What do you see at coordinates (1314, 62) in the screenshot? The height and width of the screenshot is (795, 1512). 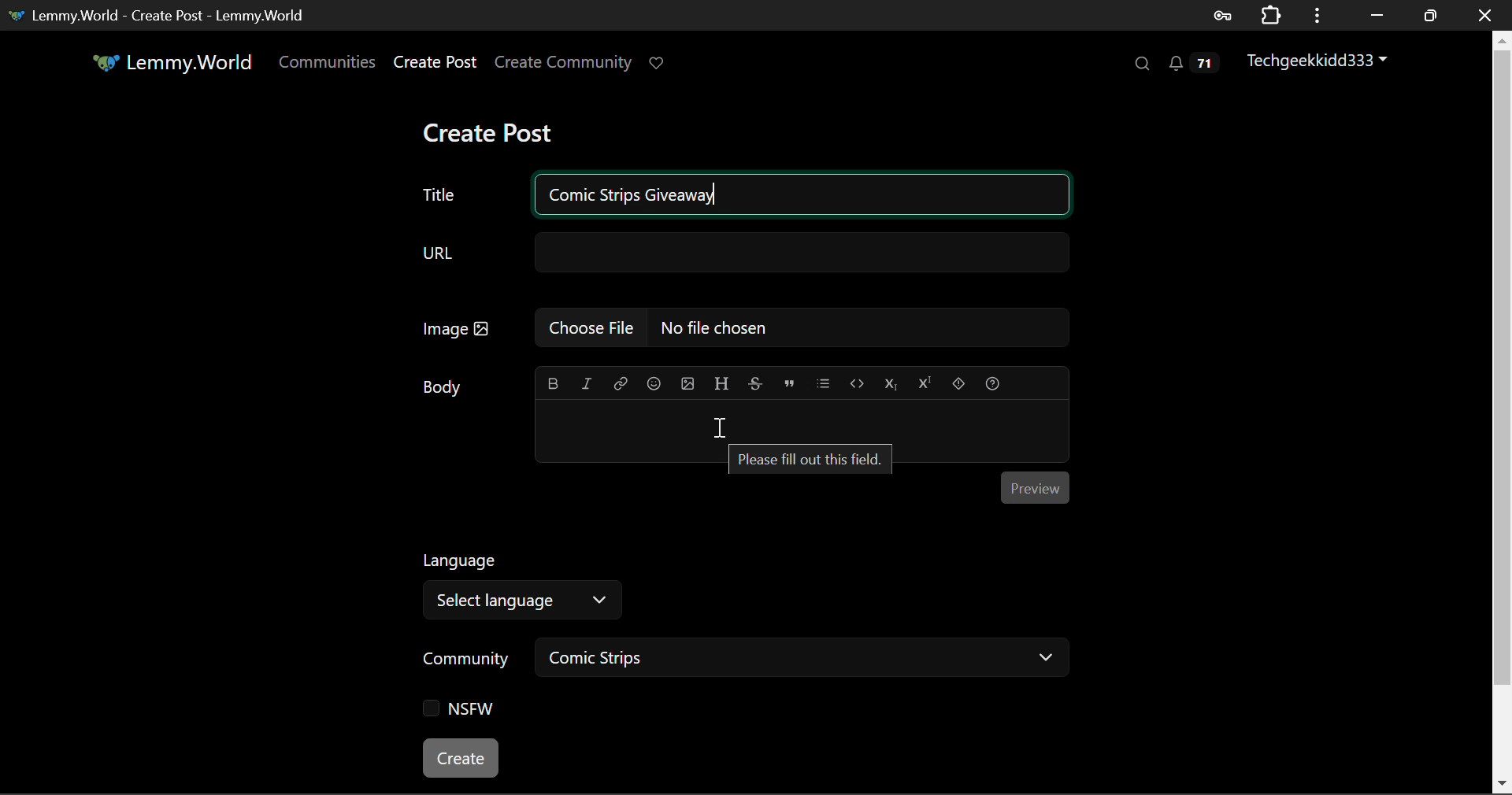 I see `Techgeekkidd333` at bounding box center [1314, 62].